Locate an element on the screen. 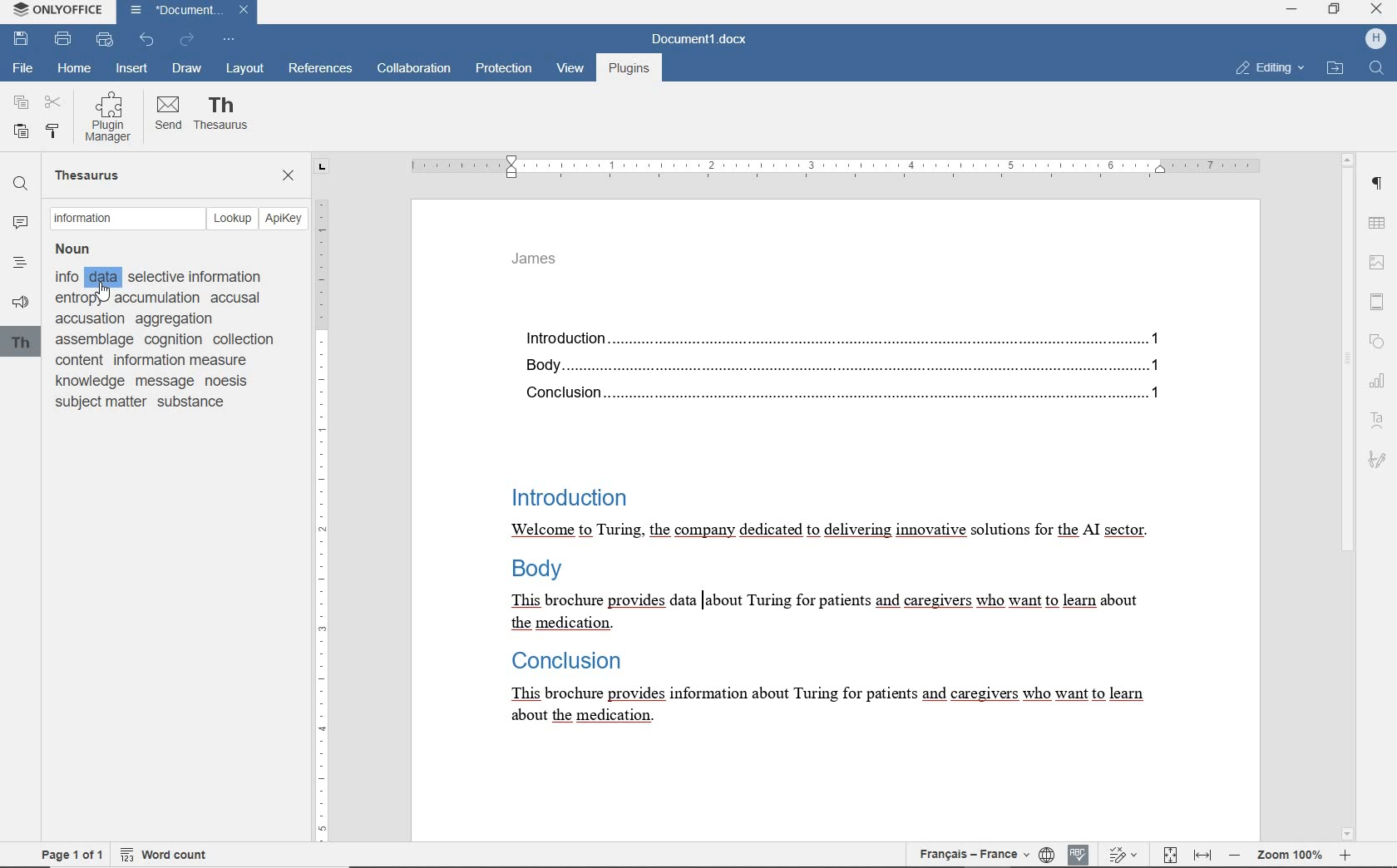  ZOOM 100% is located at coordinates (1290, 853).